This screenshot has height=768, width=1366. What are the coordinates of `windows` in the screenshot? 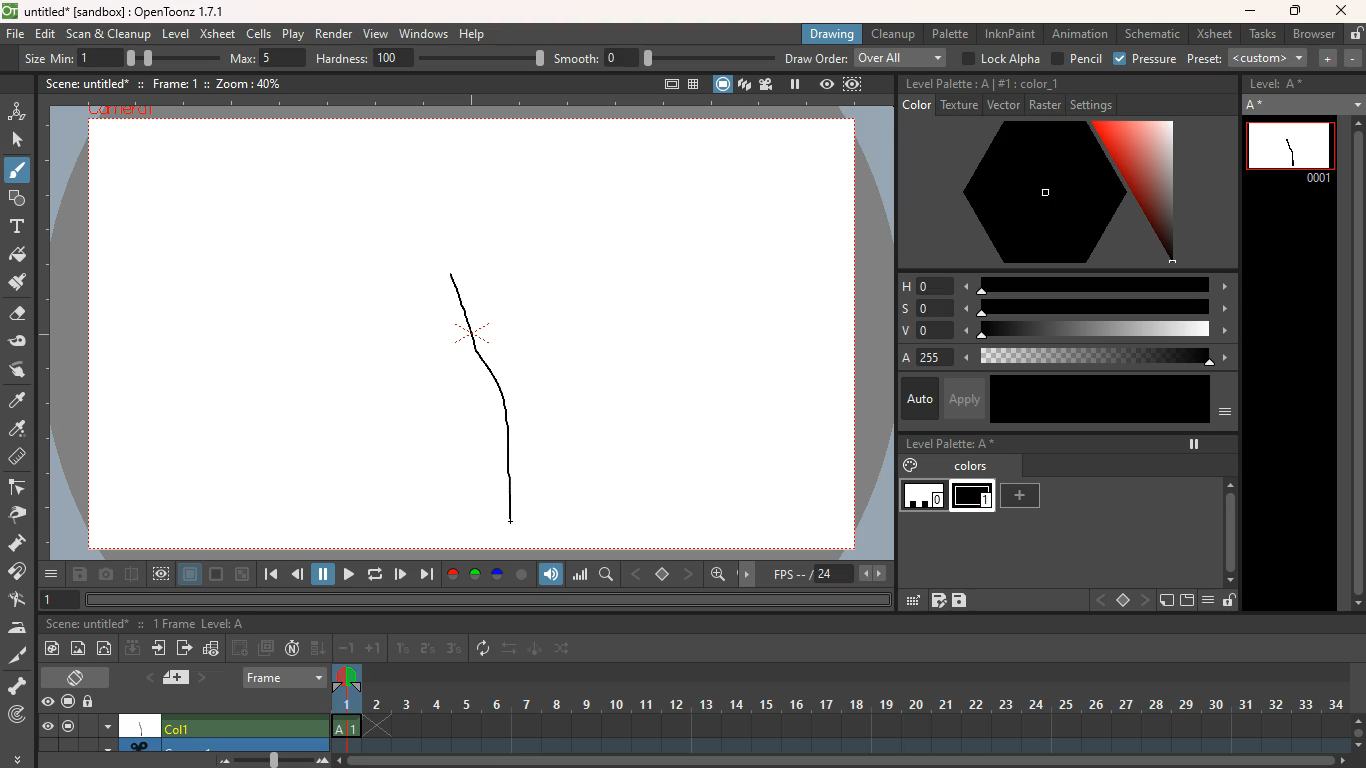 It's located at (423, 34).